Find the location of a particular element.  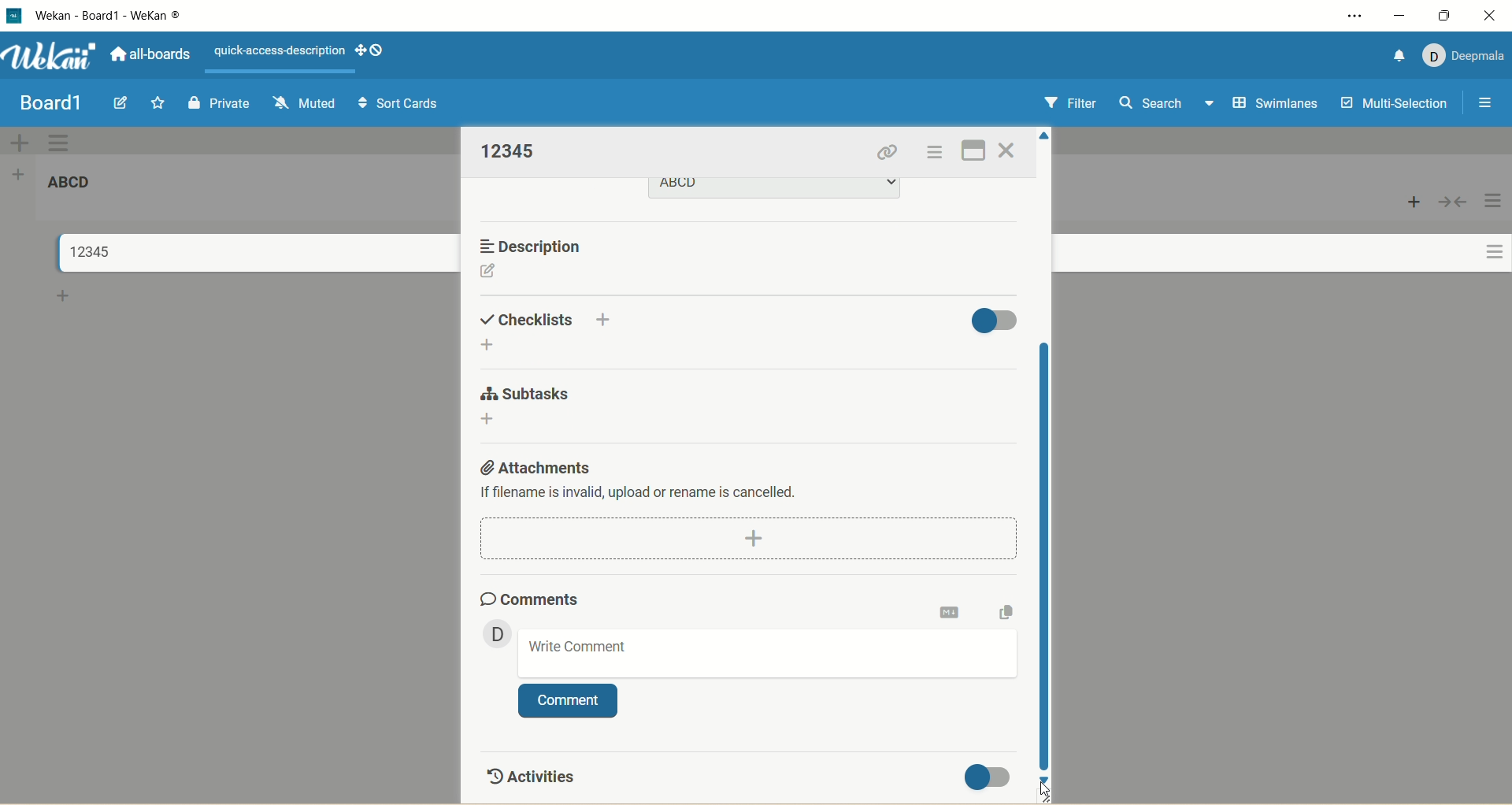

add is located at coordinates (606, 317).